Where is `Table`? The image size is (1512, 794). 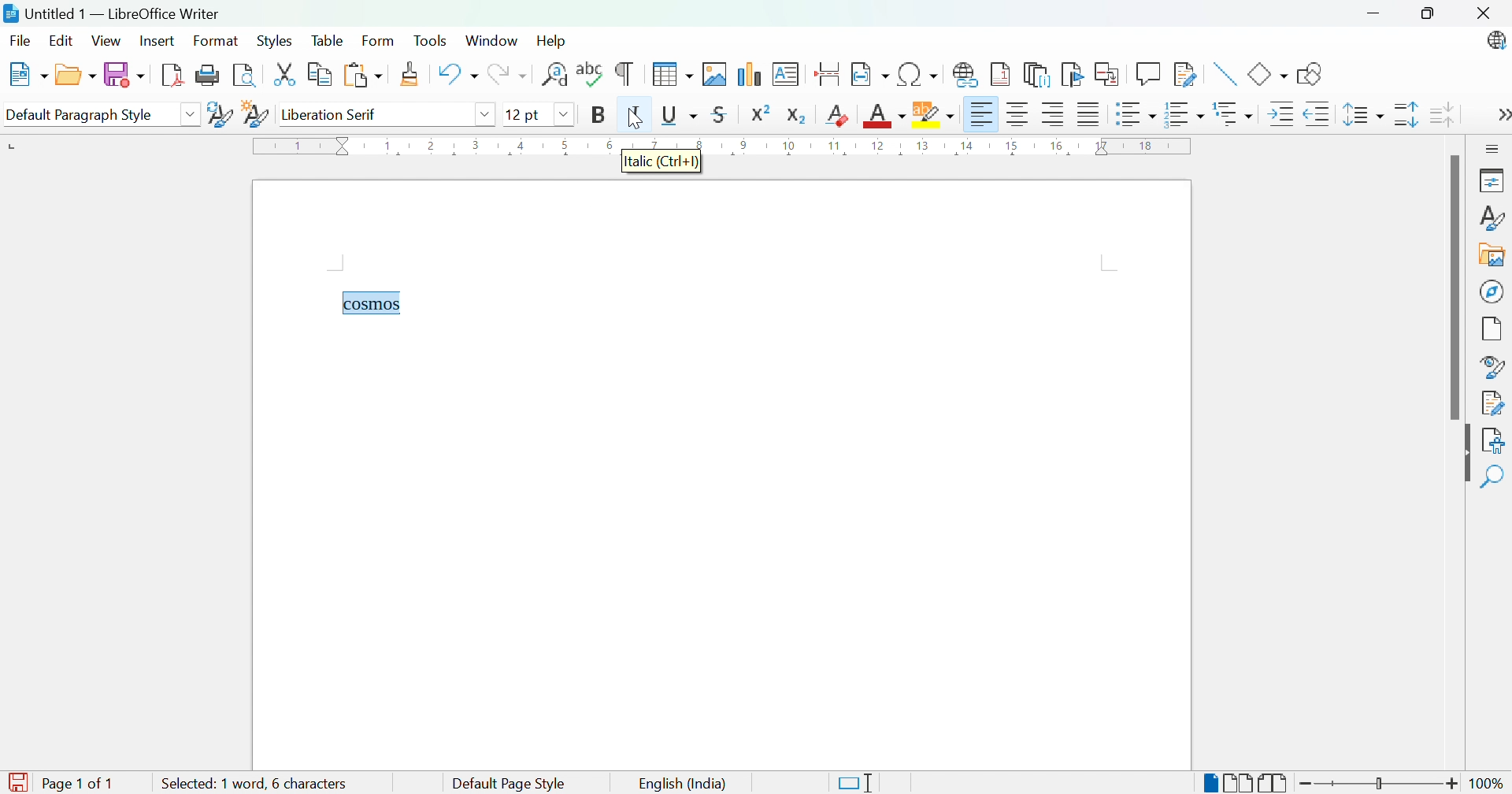 Table is located at coordinates (330, 41).